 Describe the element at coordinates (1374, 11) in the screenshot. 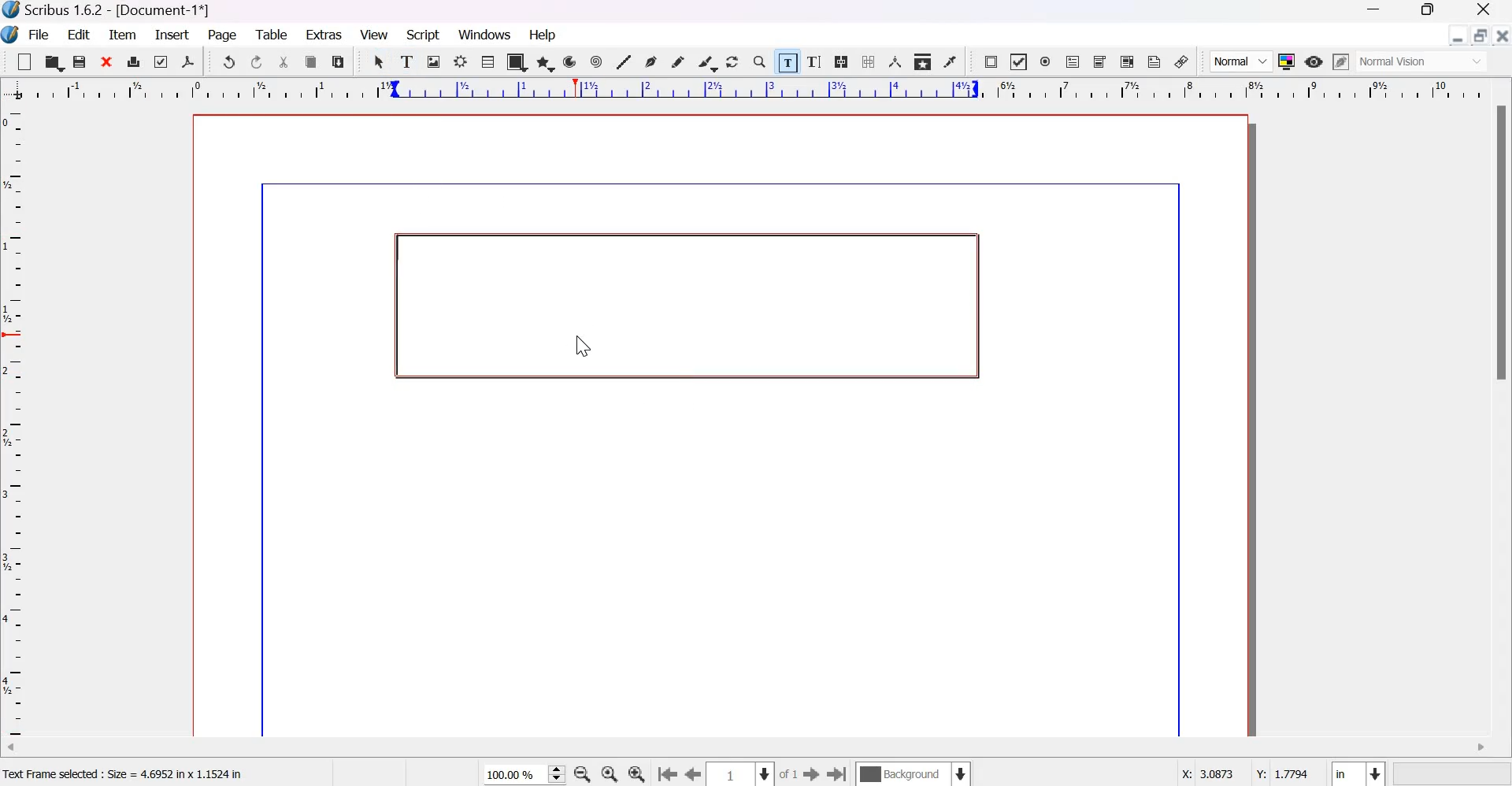

I see `Minimize` at that location.